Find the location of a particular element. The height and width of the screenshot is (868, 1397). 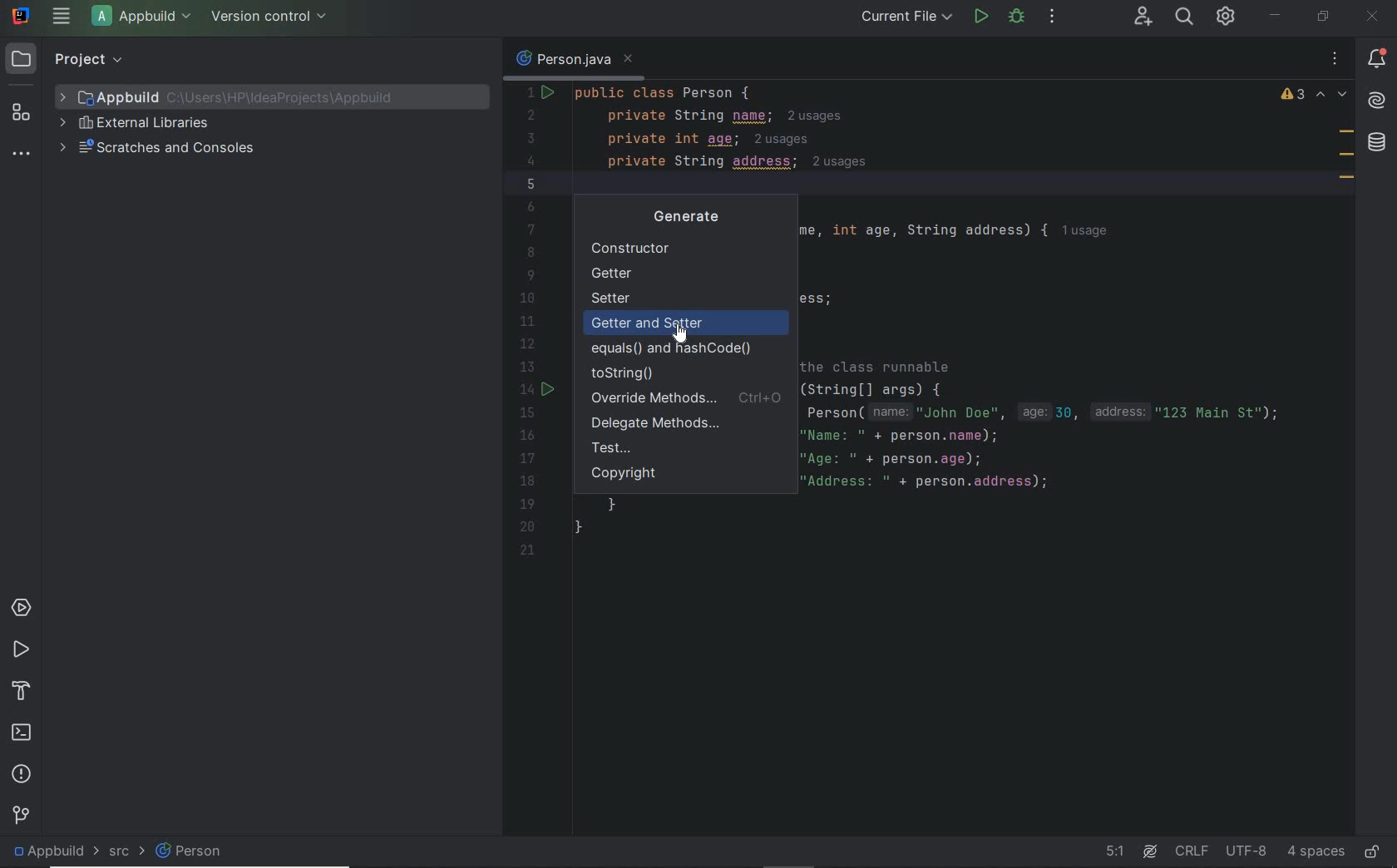

database is located at coordinates (1380, 144).